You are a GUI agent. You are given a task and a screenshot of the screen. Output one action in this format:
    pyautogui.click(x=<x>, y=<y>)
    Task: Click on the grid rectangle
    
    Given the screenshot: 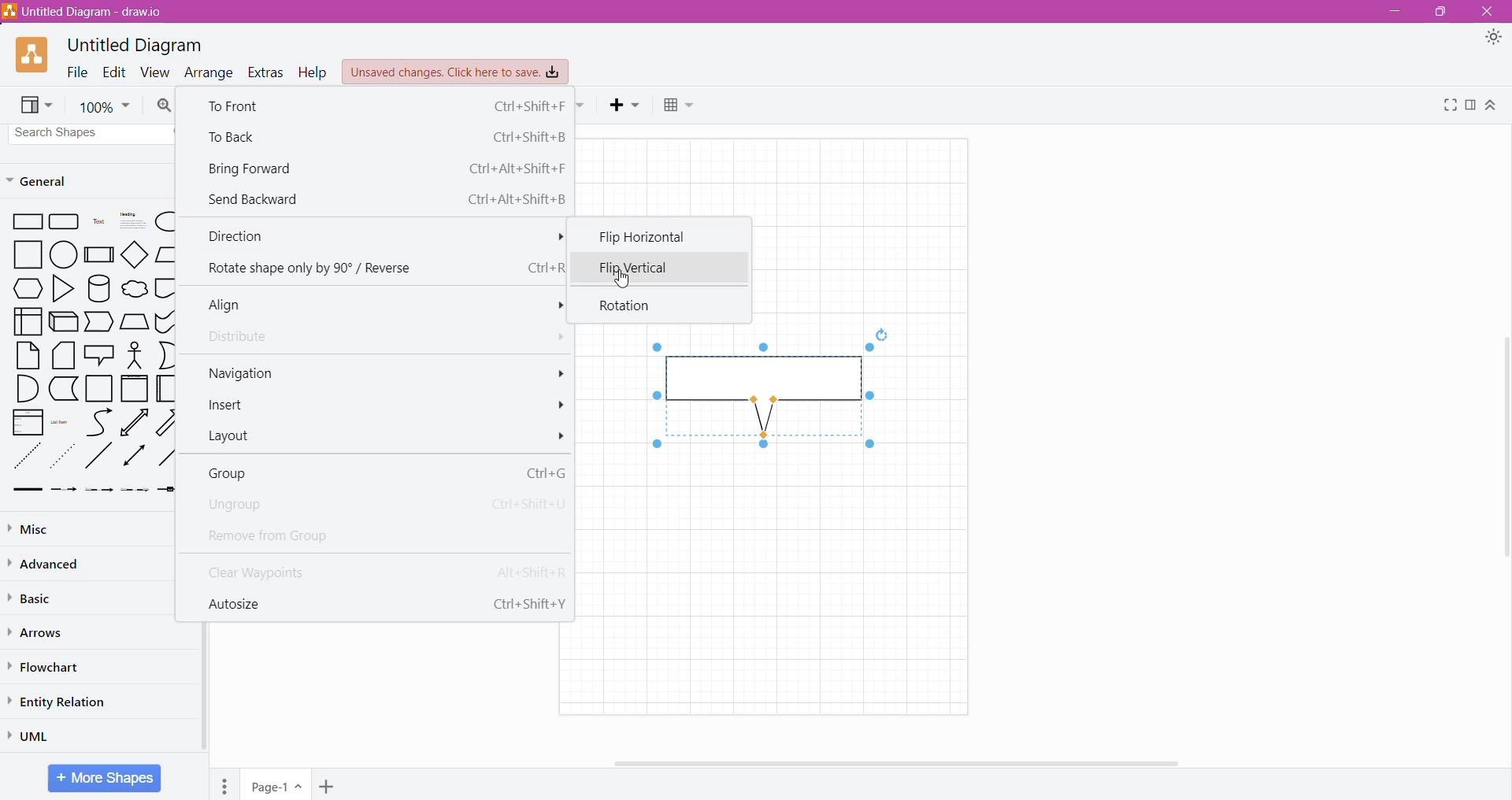 What is the action you would take?
    pyautogui.click(x=65, y=223)
    